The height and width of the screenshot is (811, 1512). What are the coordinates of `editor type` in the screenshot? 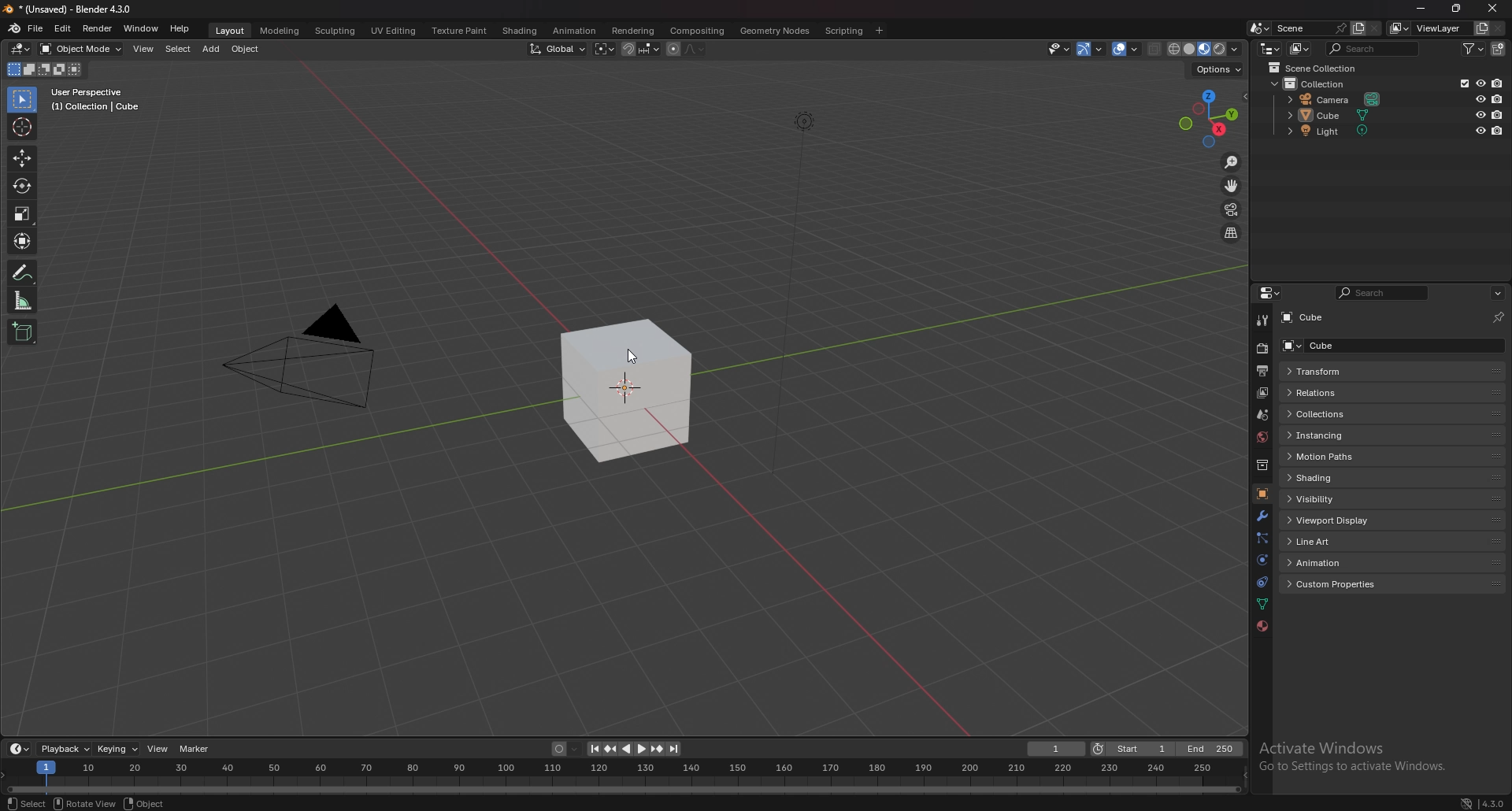 It's located at (1269, 47).